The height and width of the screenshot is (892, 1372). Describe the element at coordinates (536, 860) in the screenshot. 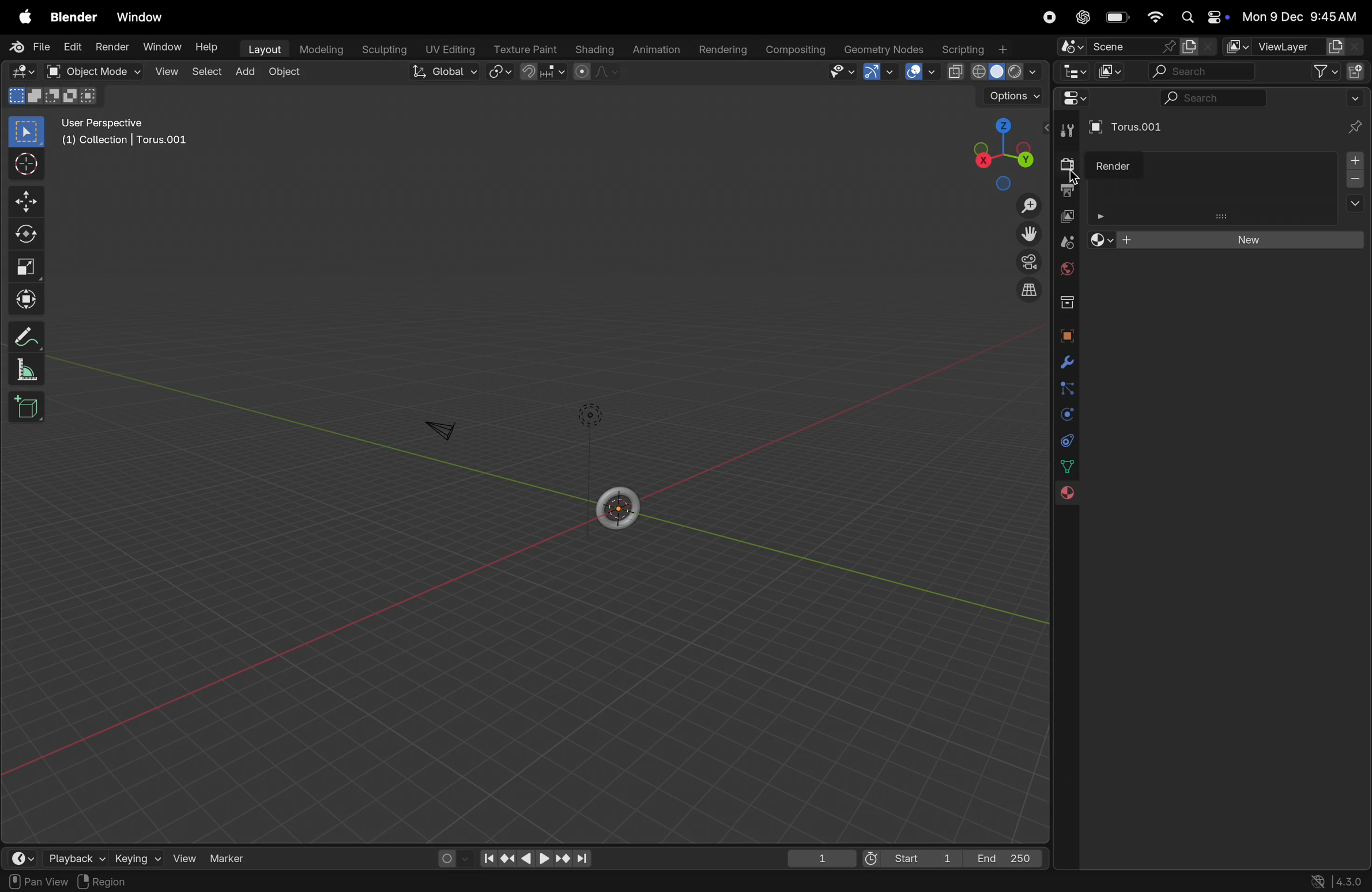

I see `play back controls` at that location.